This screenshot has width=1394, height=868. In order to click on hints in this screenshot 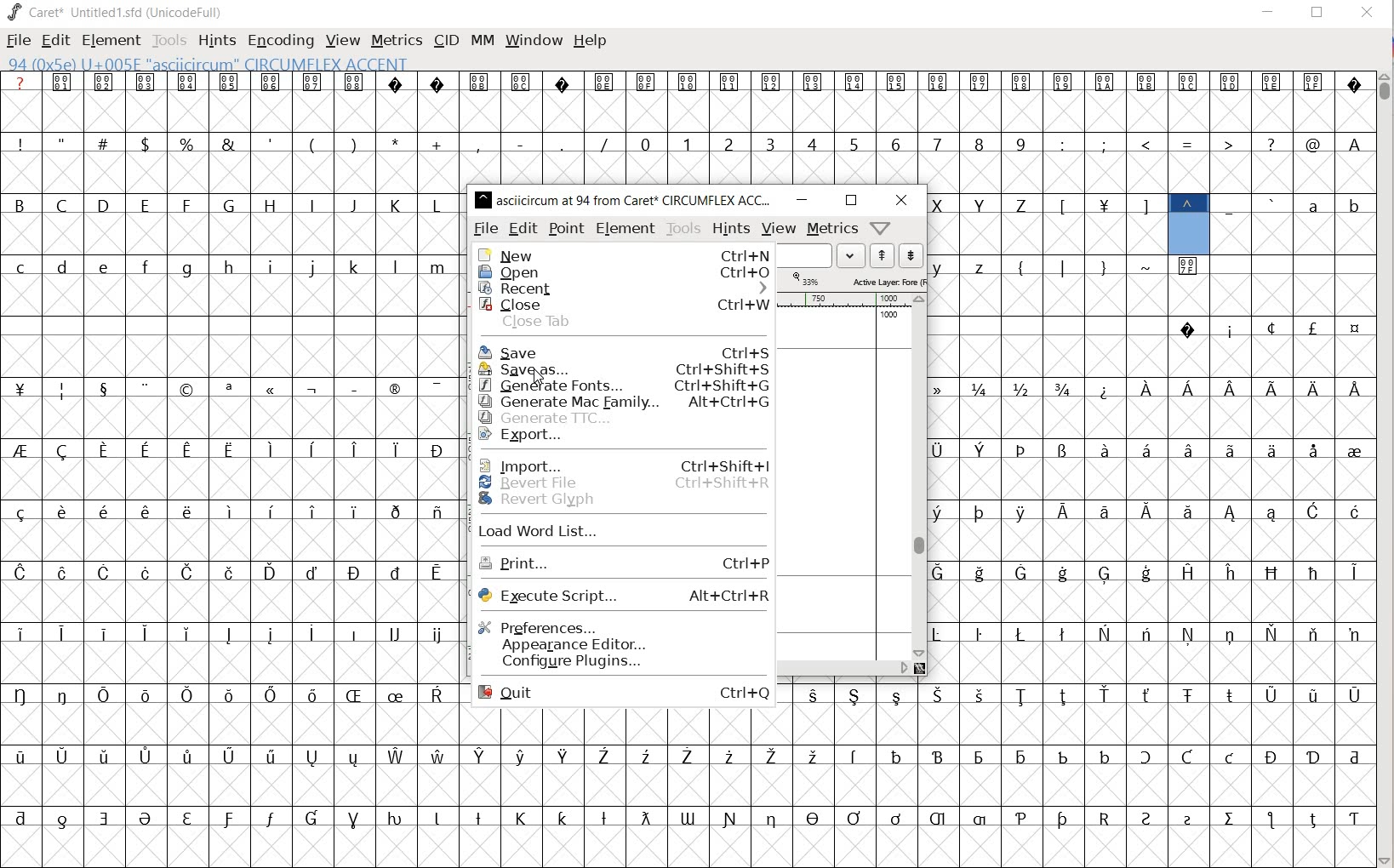, I will do `click(732, 229)`.